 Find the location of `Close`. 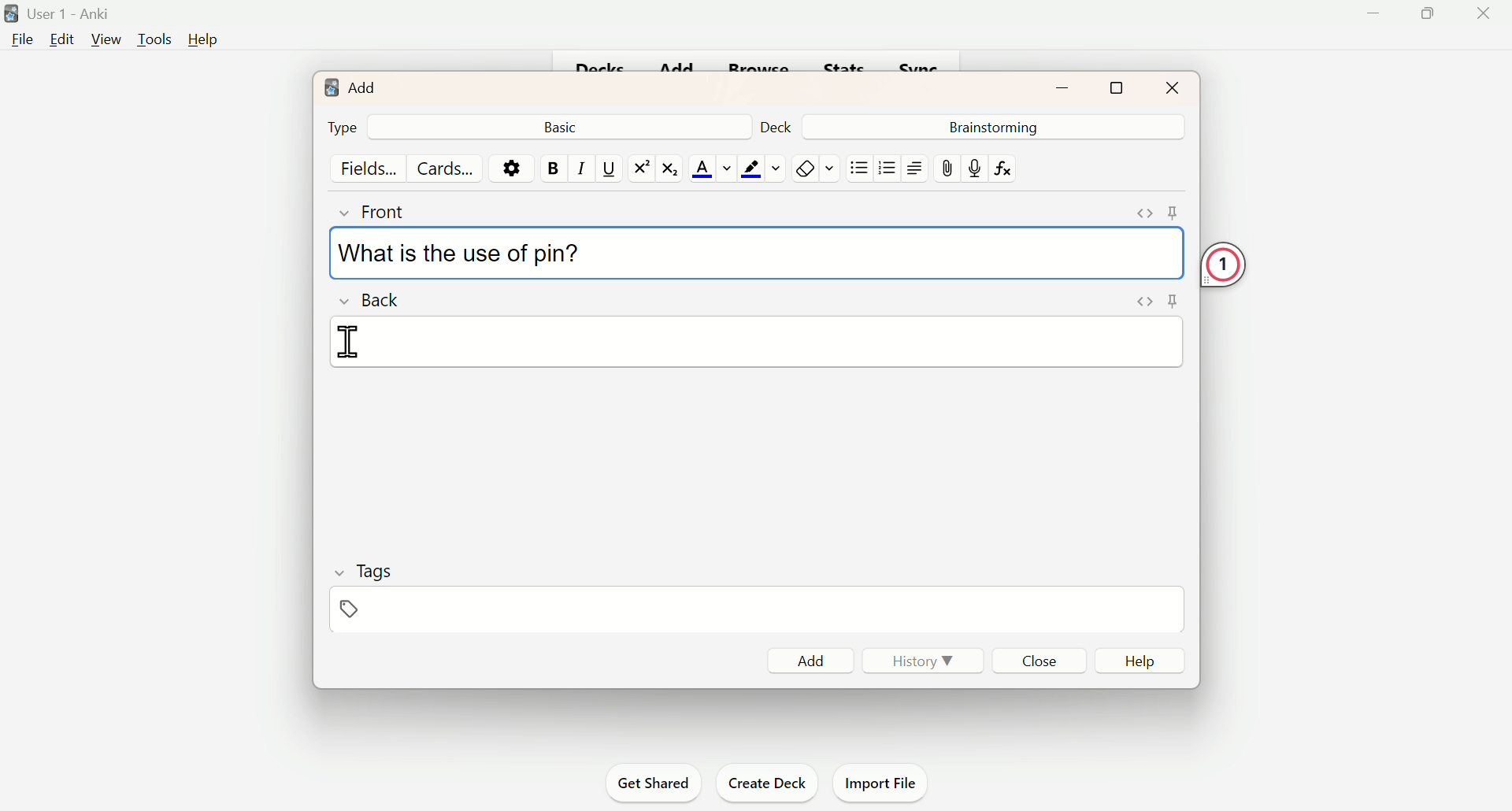

Close is located at coordinates (1043, 660).